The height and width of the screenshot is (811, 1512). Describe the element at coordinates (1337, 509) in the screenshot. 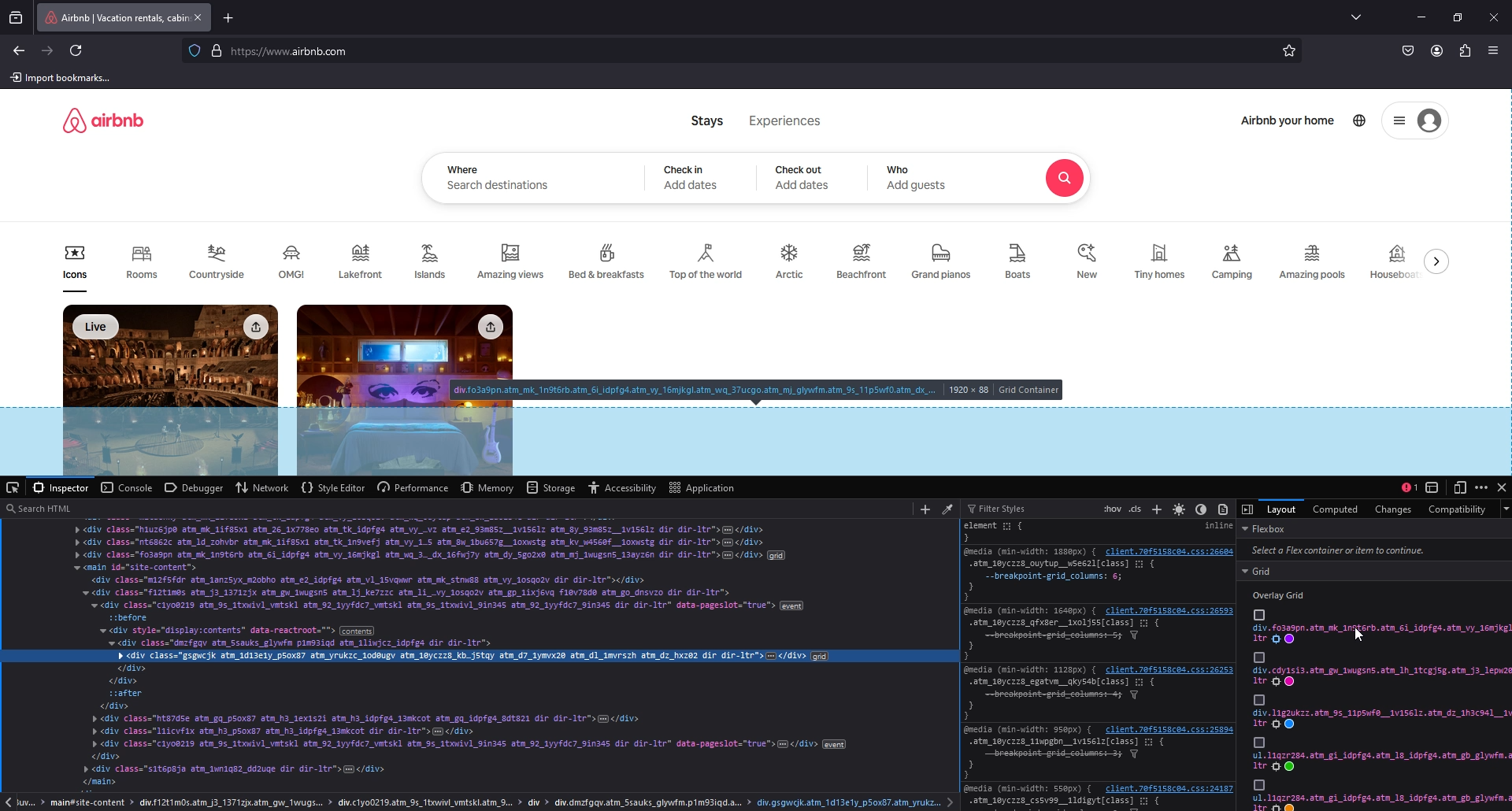

I see `computed` at that location.